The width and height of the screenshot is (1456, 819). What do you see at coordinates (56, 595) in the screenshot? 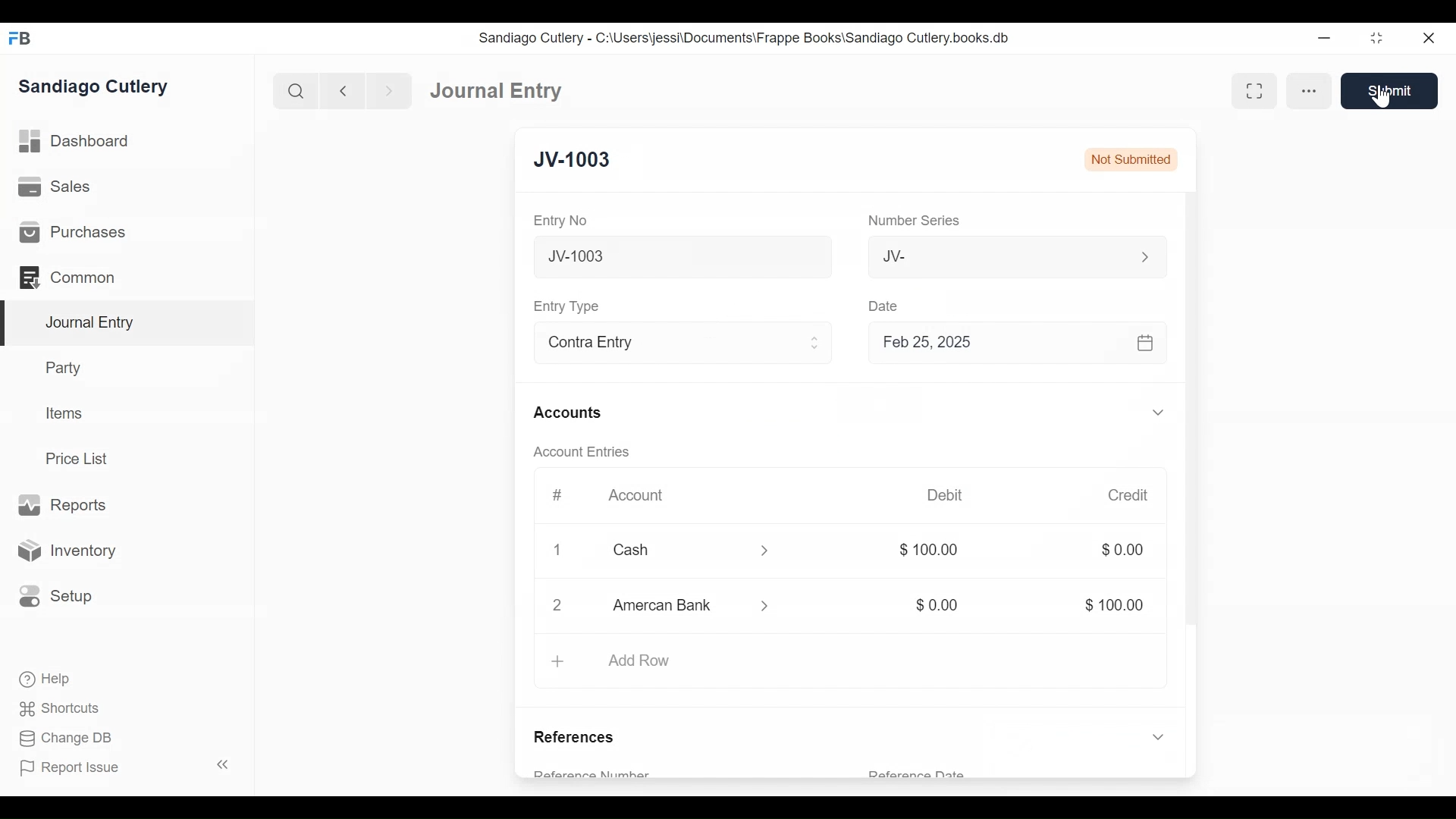
I see `Setup` at bounding box center [56, 595].